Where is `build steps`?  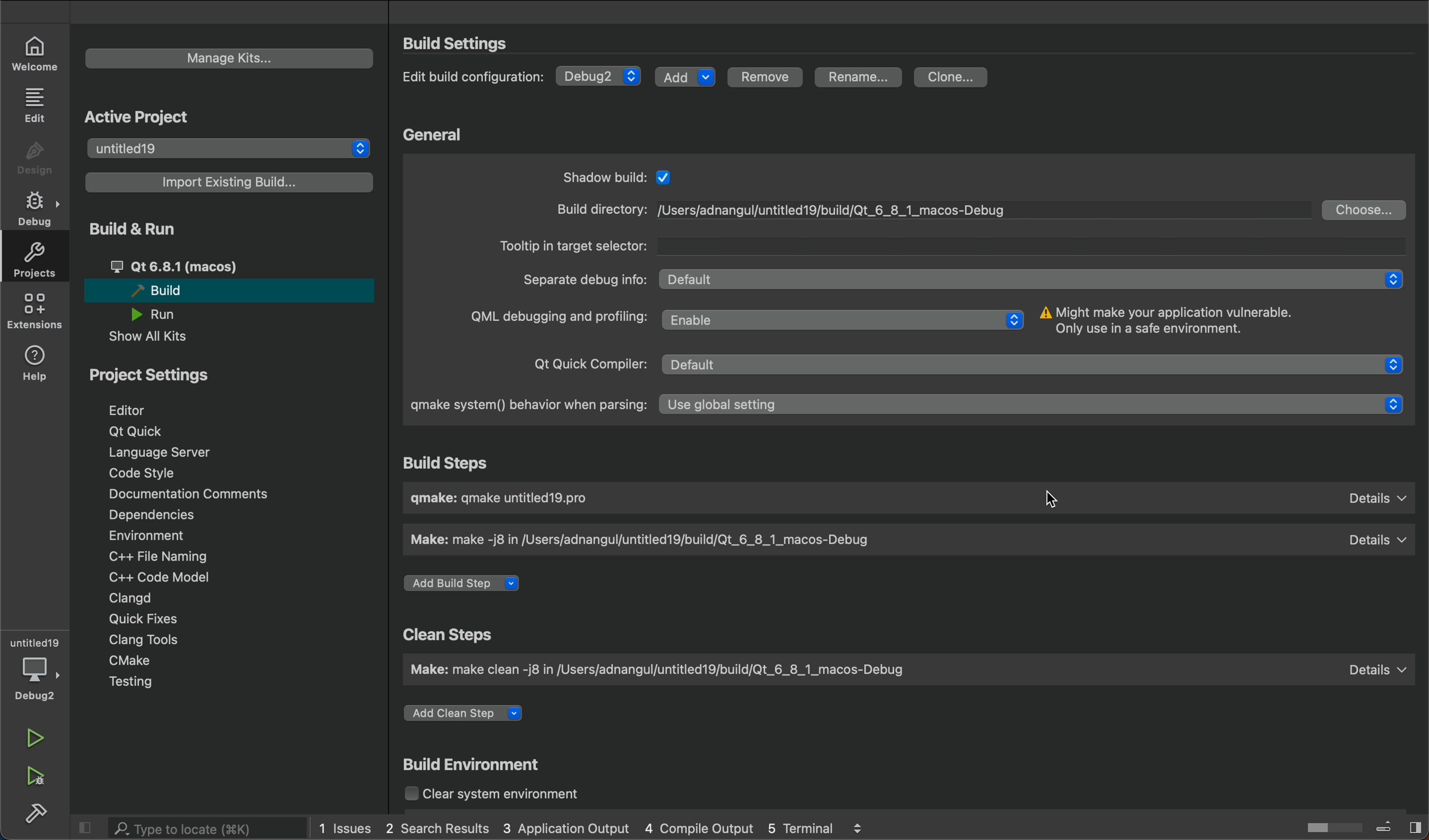 build steps is located at coordinates (453, 464).